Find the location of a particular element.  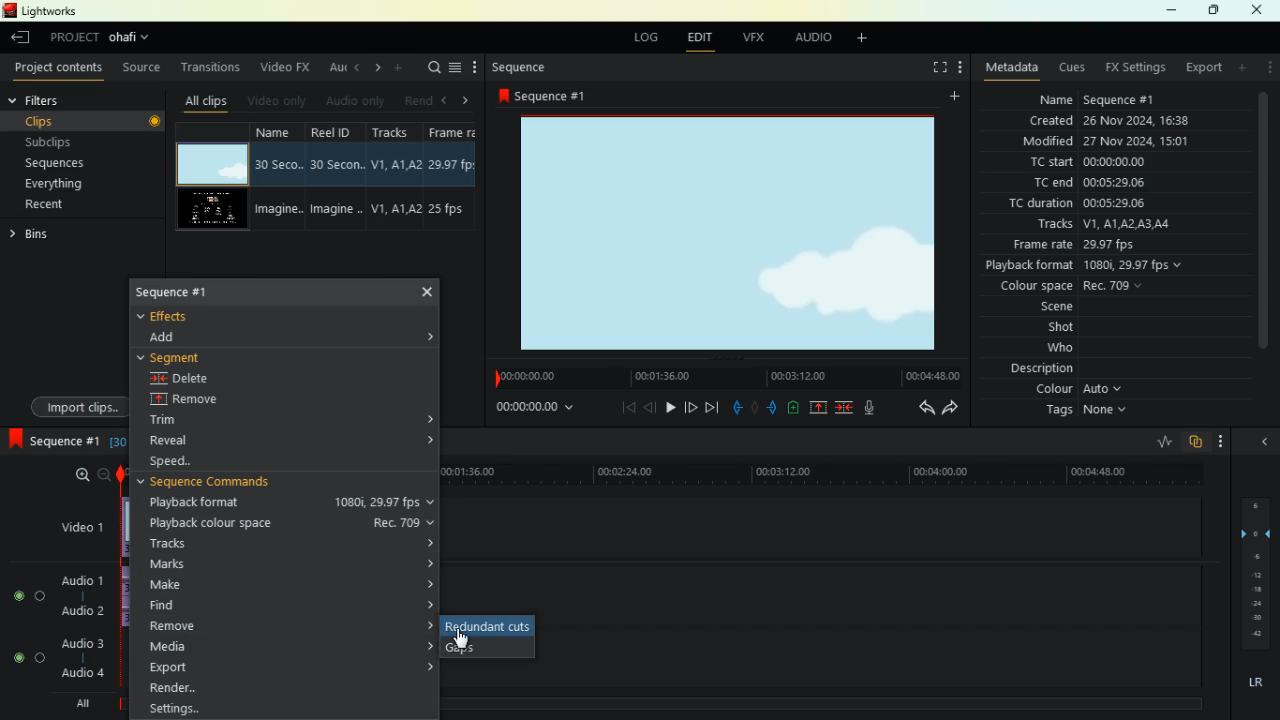

playback format is located at coordinates (289, 505).